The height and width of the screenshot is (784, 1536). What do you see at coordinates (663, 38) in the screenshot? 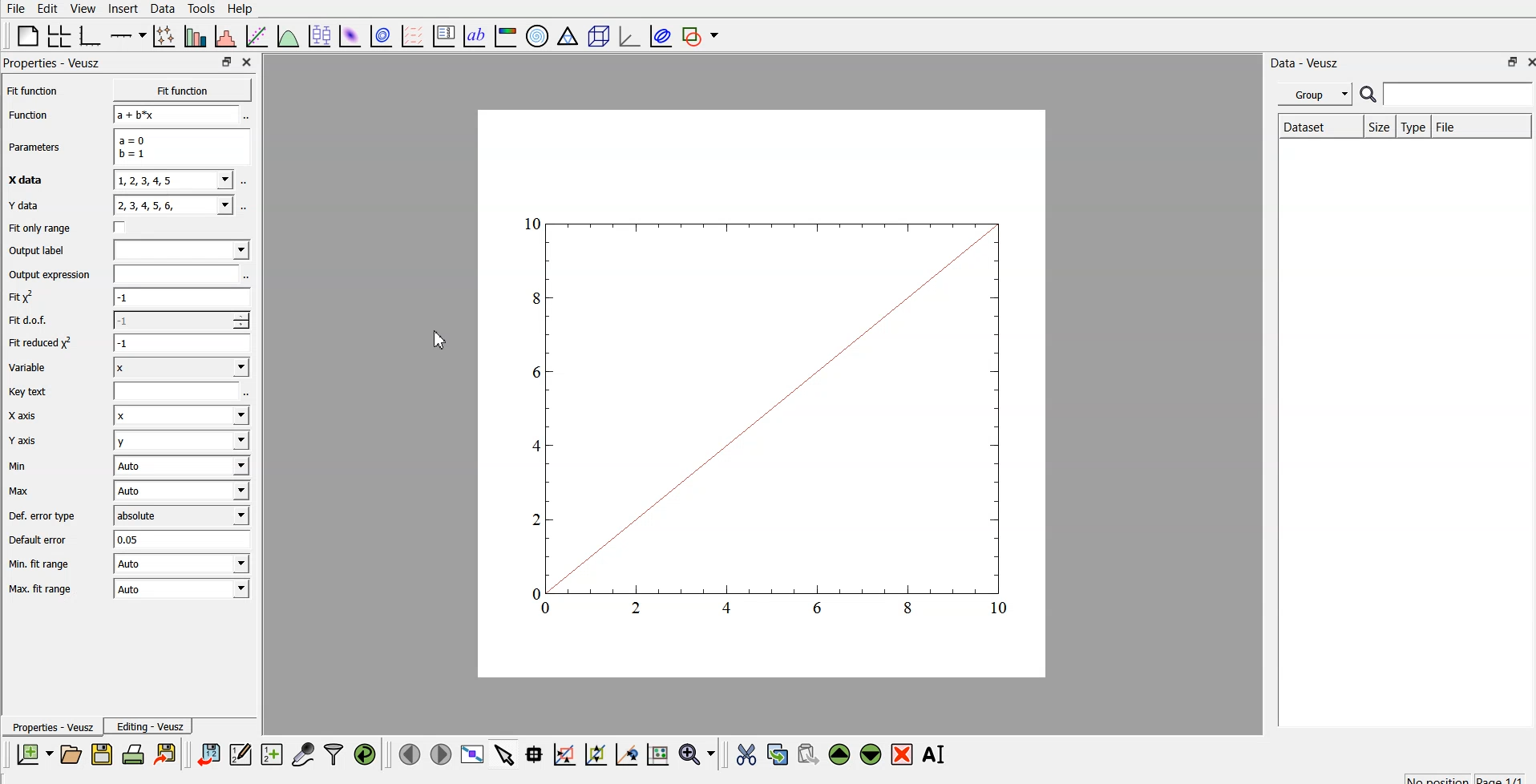
I see `plot covariance ellipse` at bounding box center [663, 38].